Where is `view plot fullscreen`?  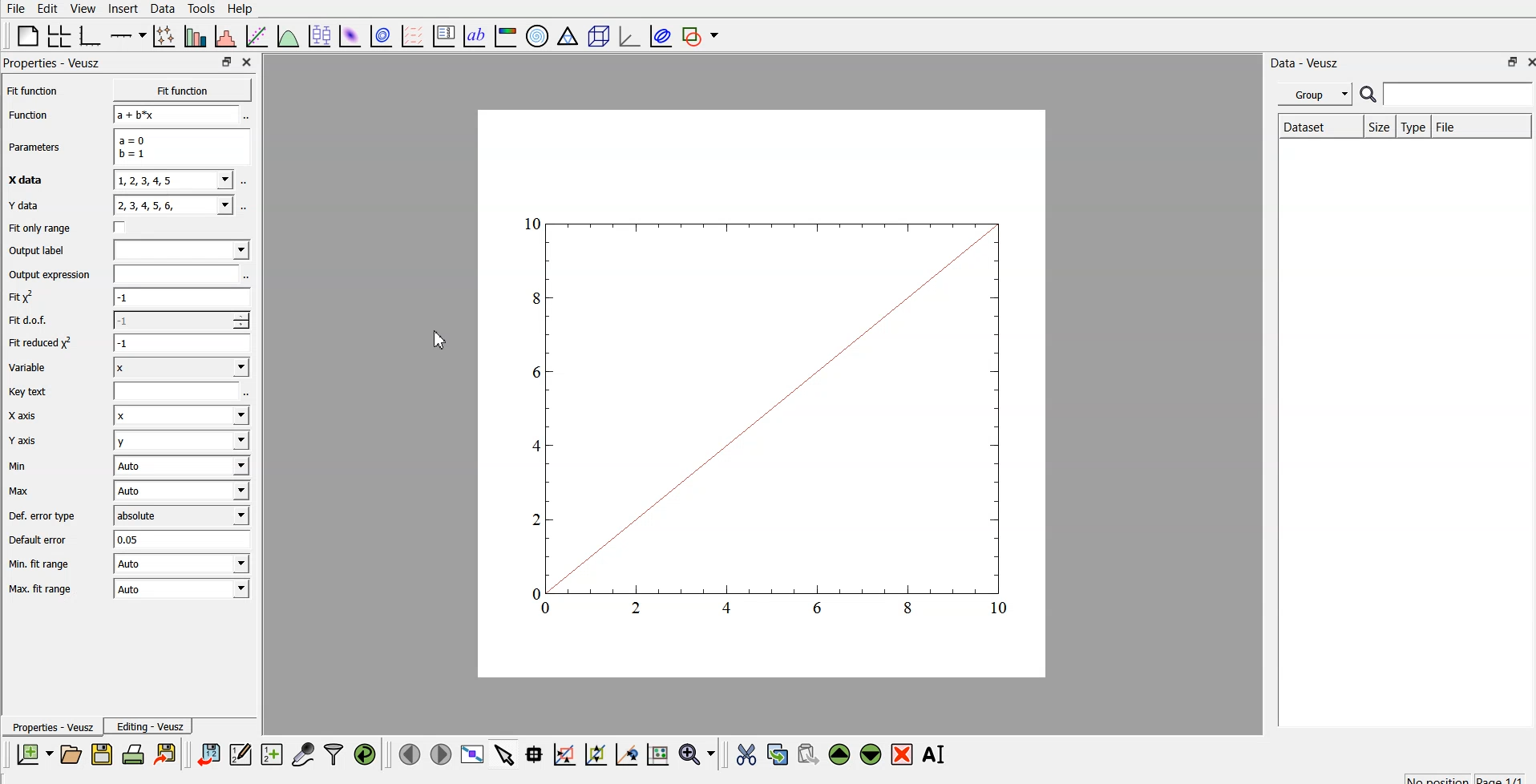
view plot fullscreen is located at coordinates (474, 756).